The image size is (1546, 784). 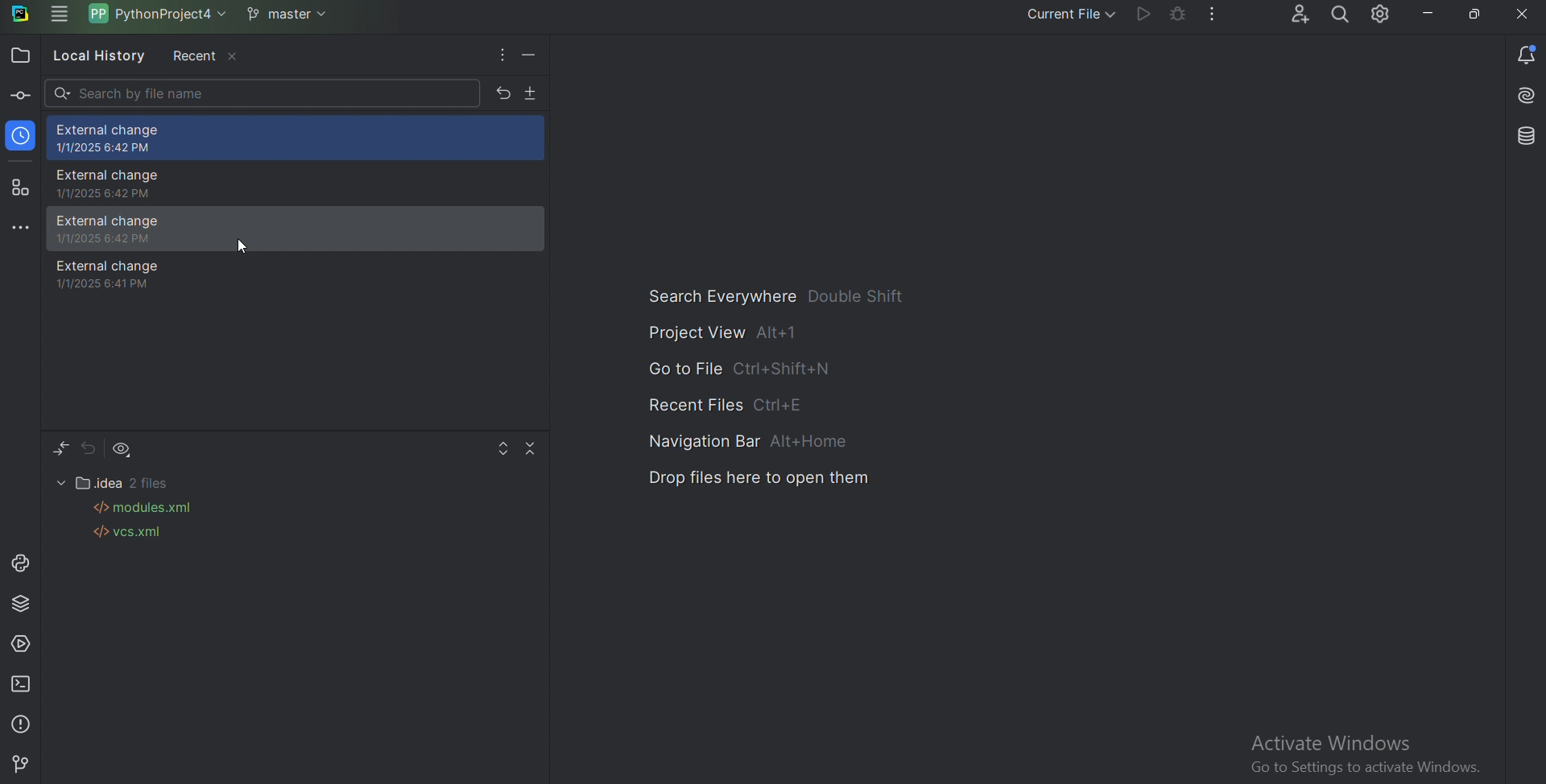 I want to click on Run , so click(x=1143, y=14).